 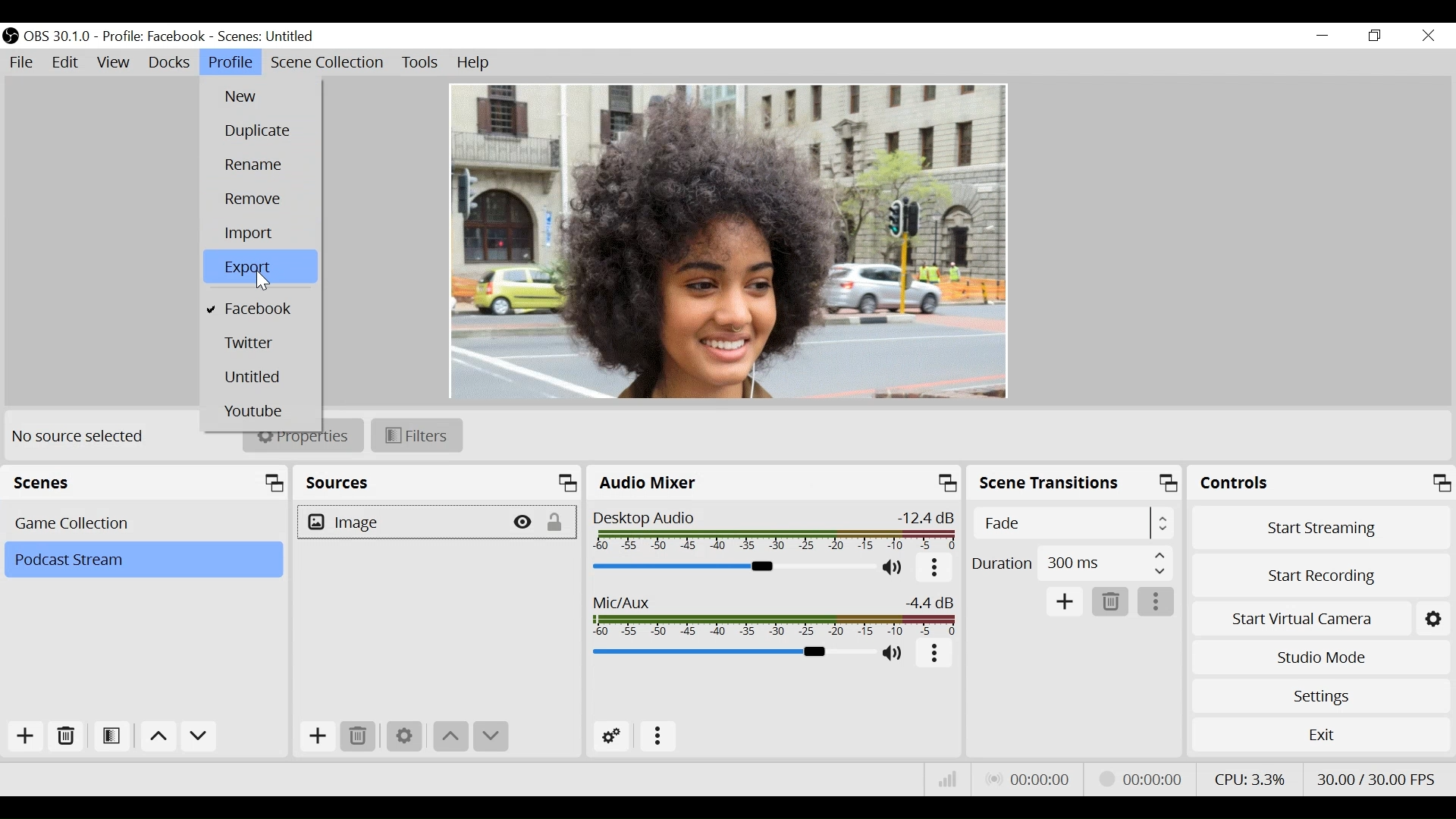 I want to click on Mic Slider, so click(x=730, y=653).